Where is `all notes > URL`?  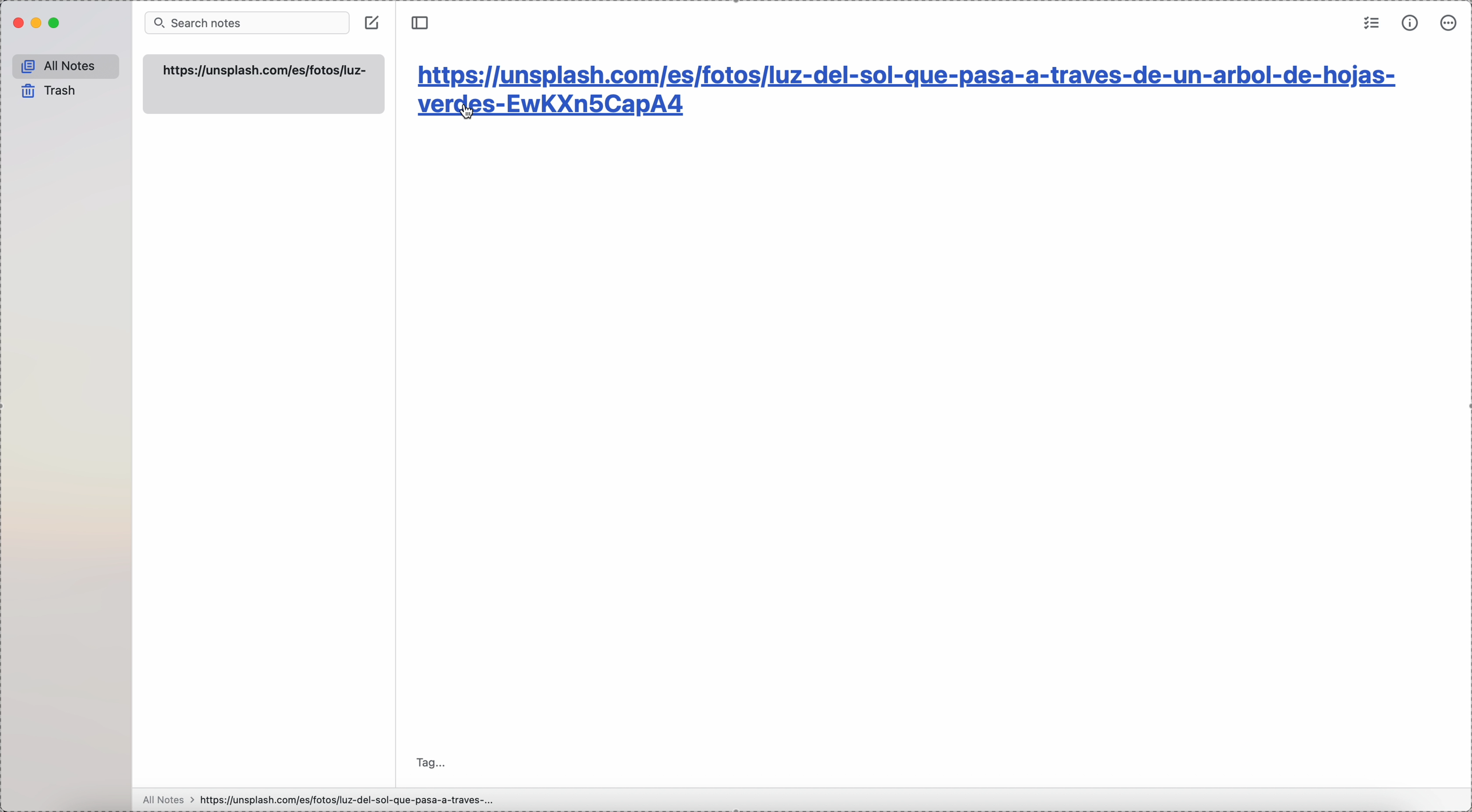 all notes > URL is located at coordinates (315, 799).